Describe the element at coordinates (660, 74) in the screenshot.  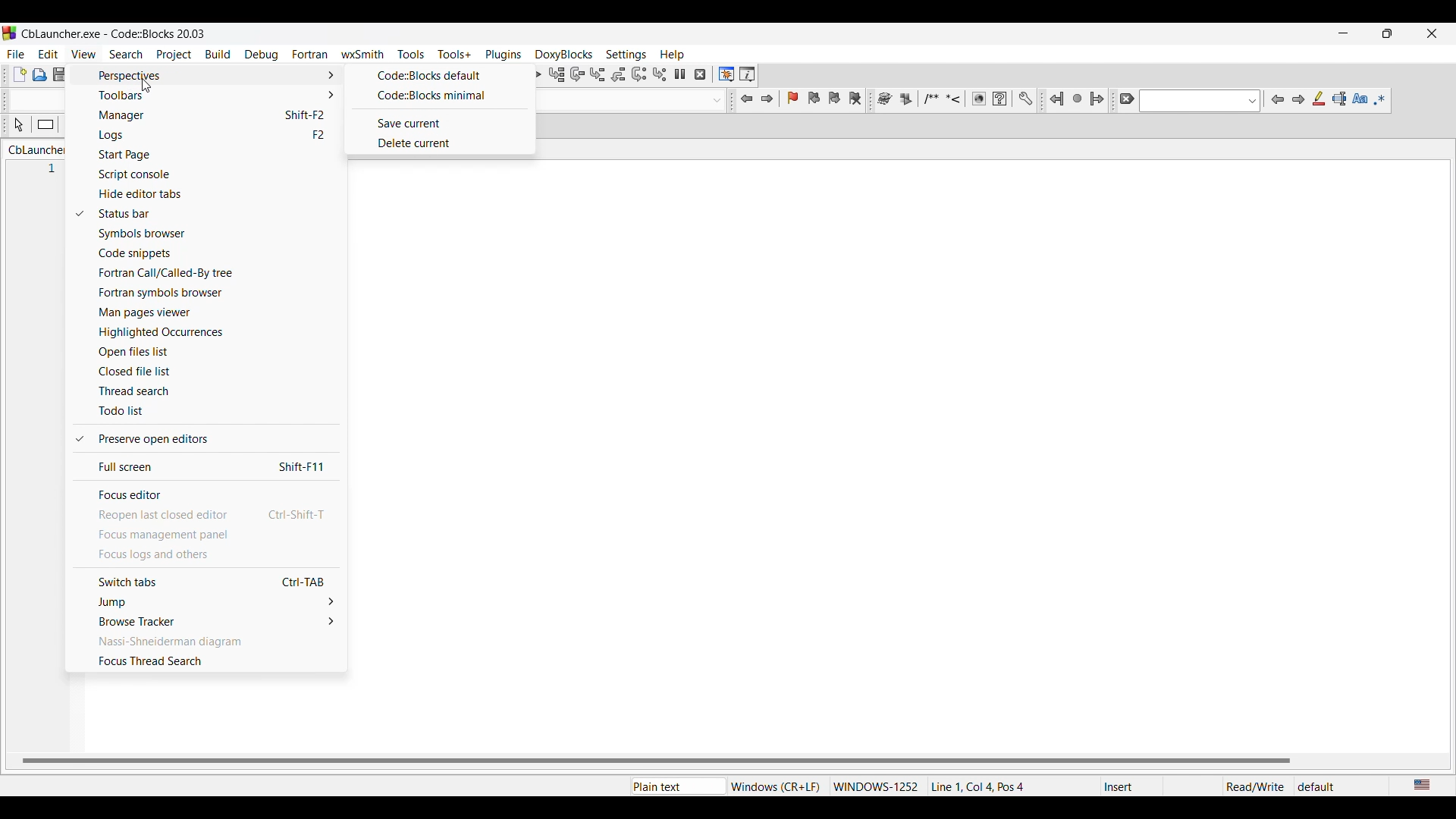
I see `Step into instruction` at that location.